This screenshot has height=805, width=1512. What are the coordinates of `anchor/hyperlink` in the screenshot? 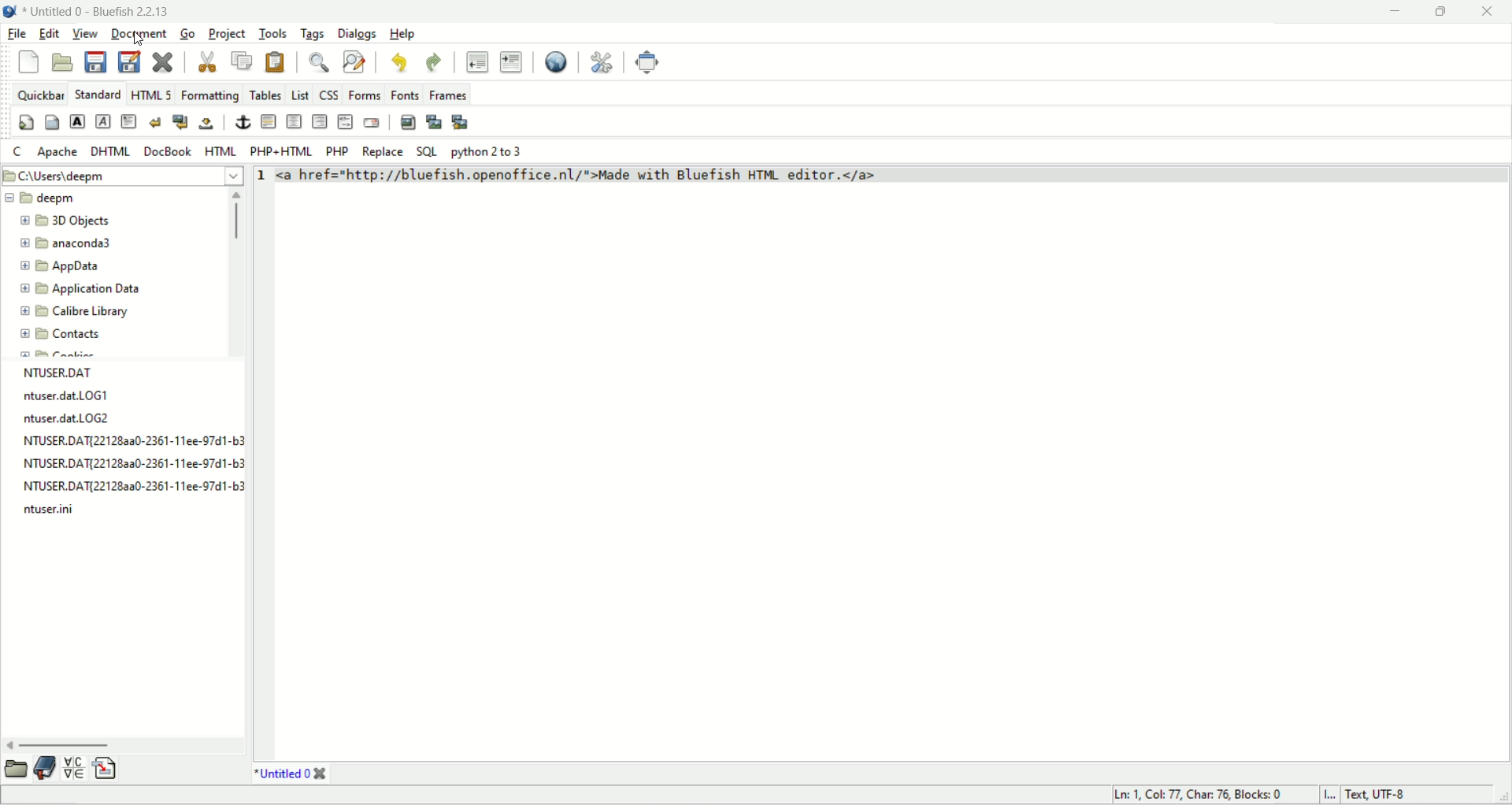 It's located at (246, 123).